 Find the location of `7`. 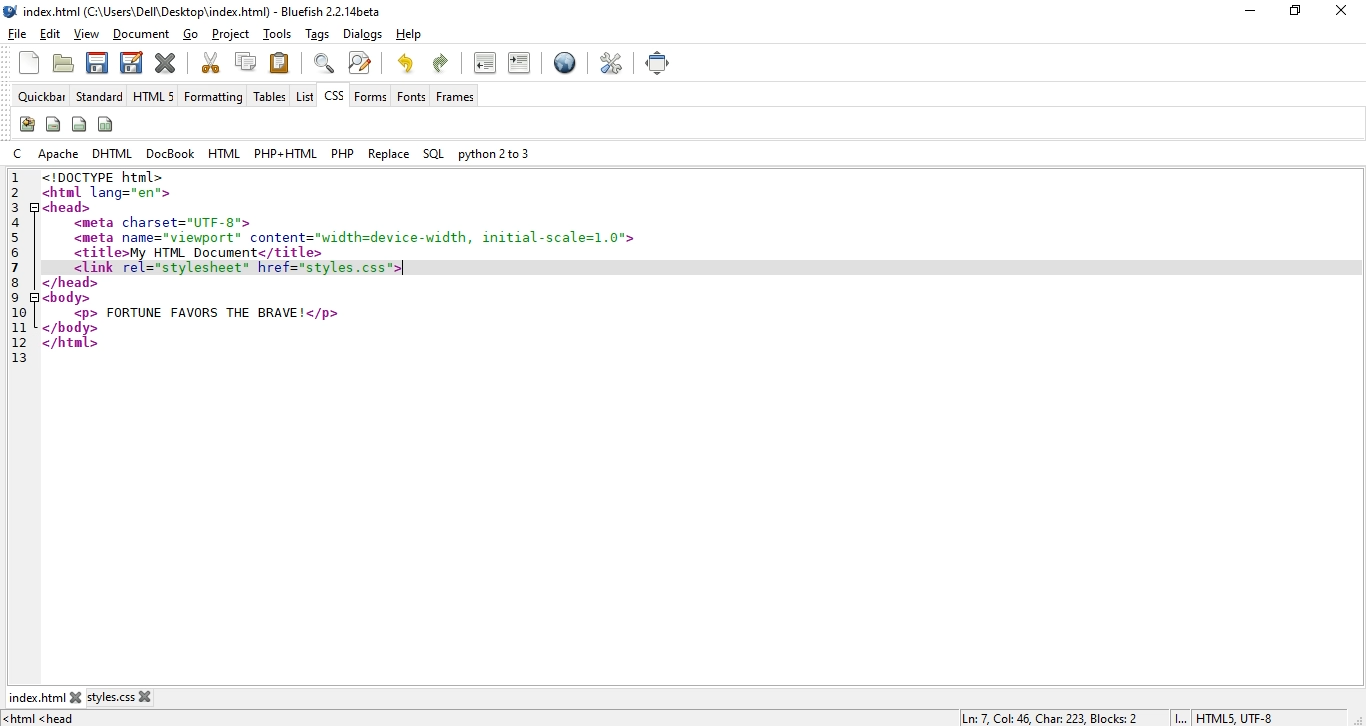

7 is located at coordinates (16, 268).